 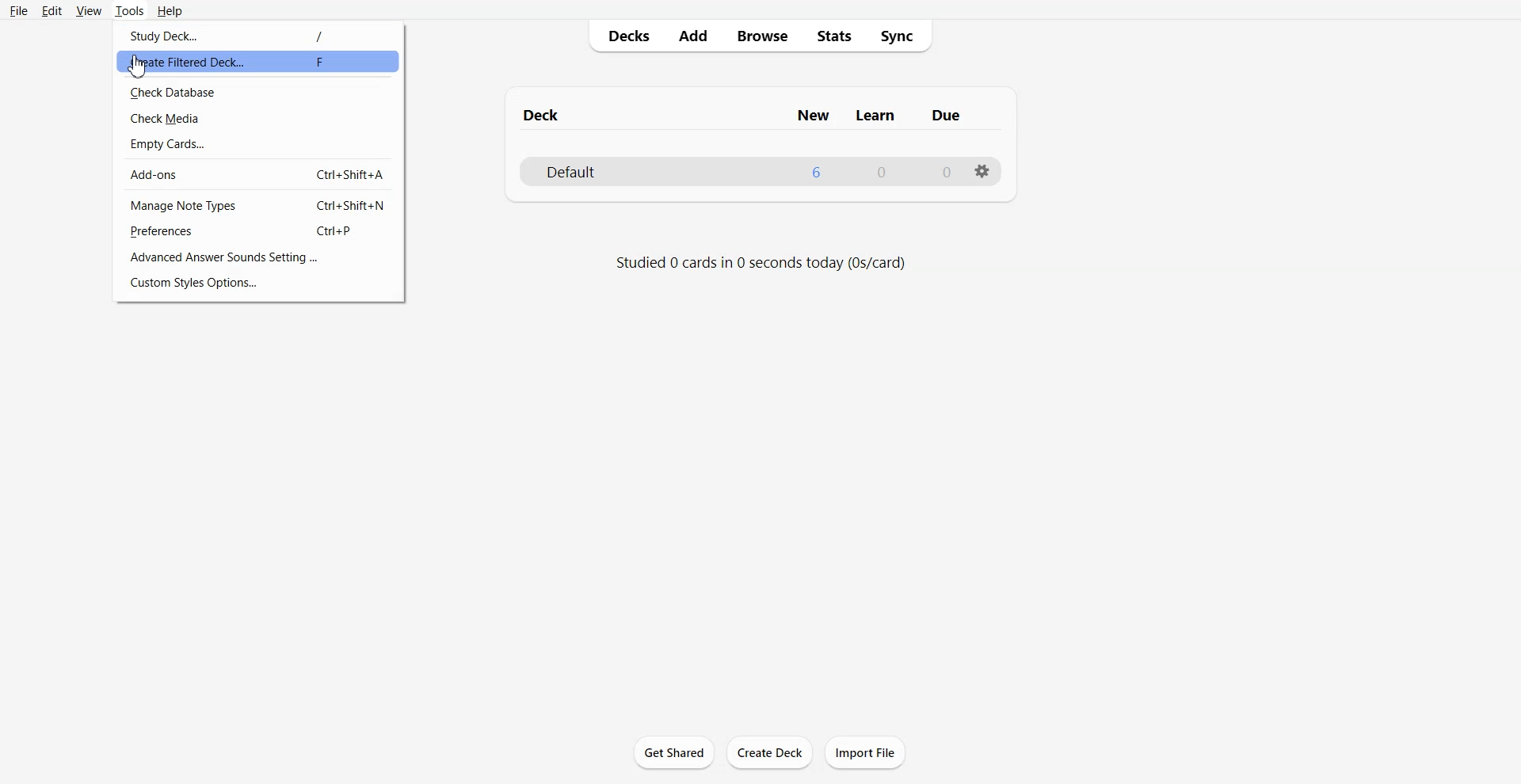 I want to click on File, so click(x=19, y=10).